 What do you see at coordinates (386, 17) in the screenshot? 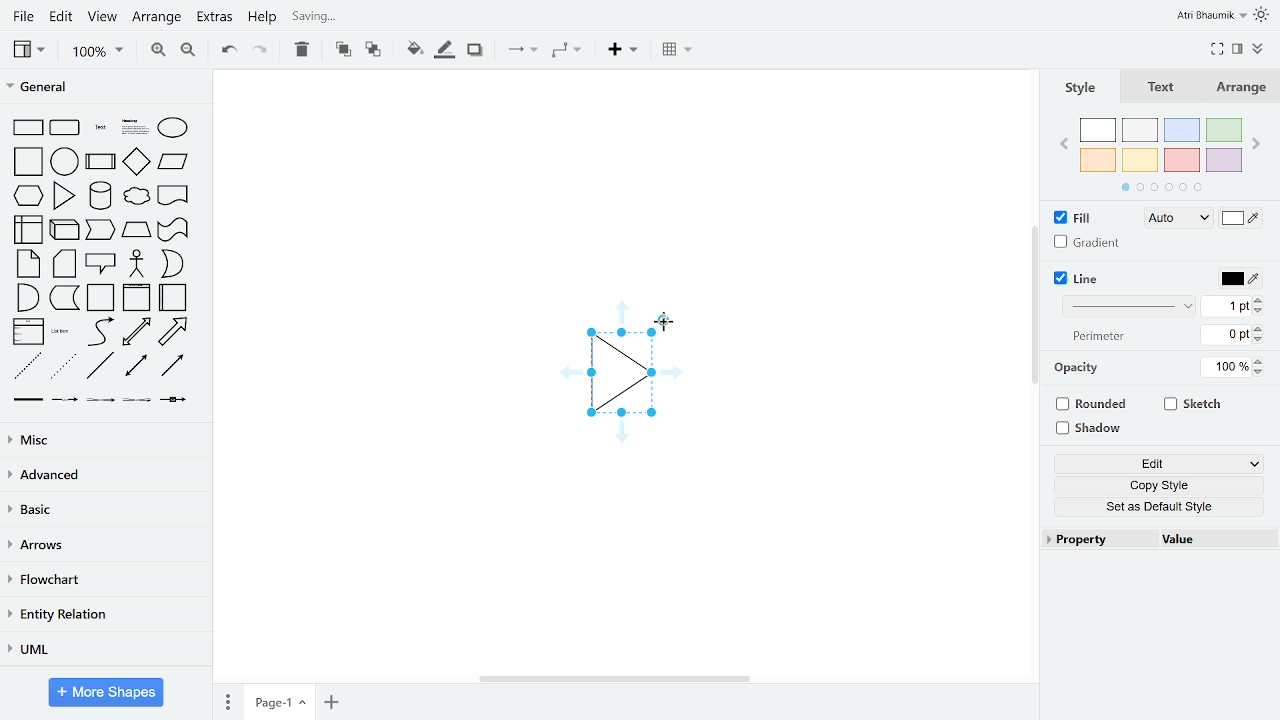
I see `last change saved` at bounding box center [386, 17].